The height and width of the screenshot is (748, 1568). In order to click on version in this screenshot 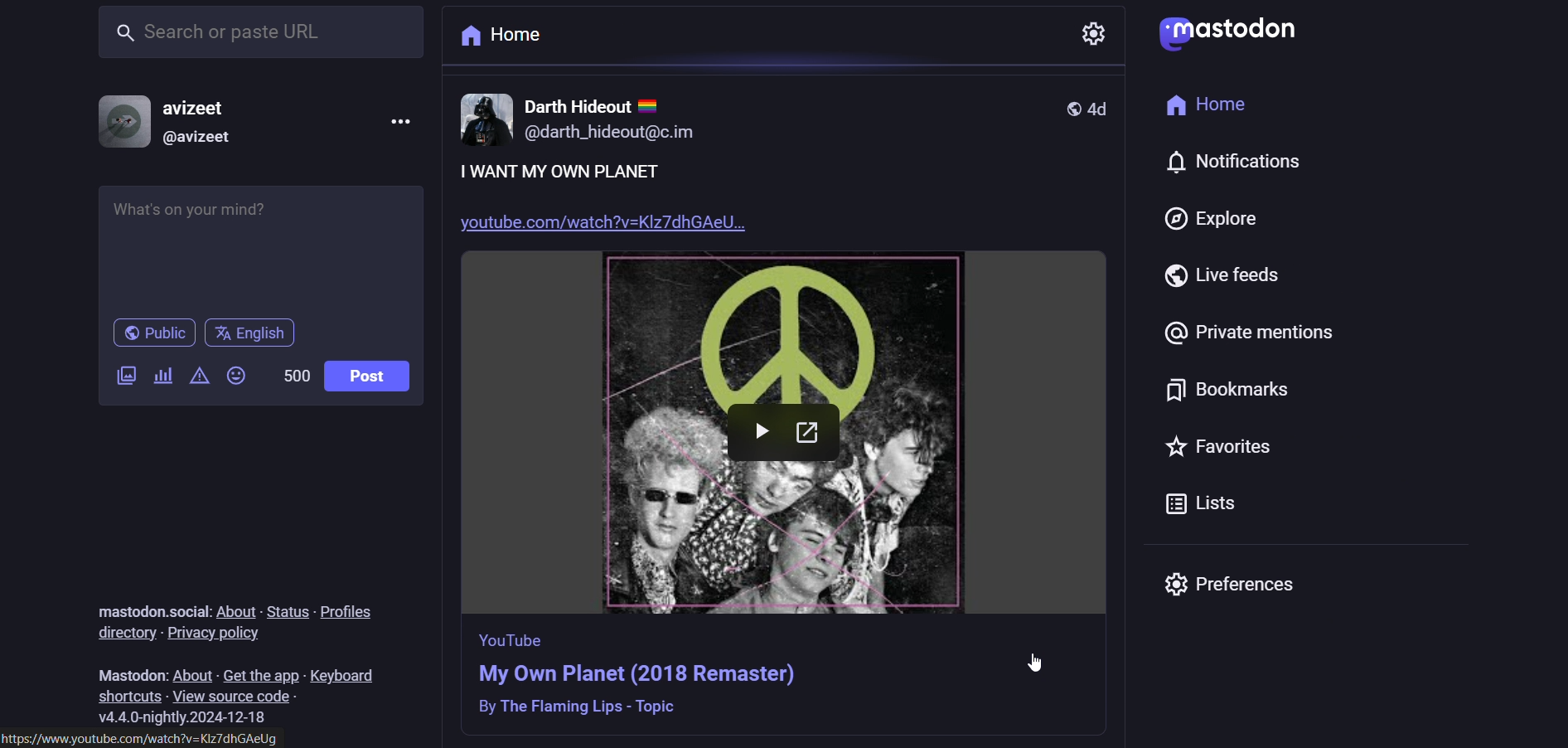, I will do `click(177, 716)`.